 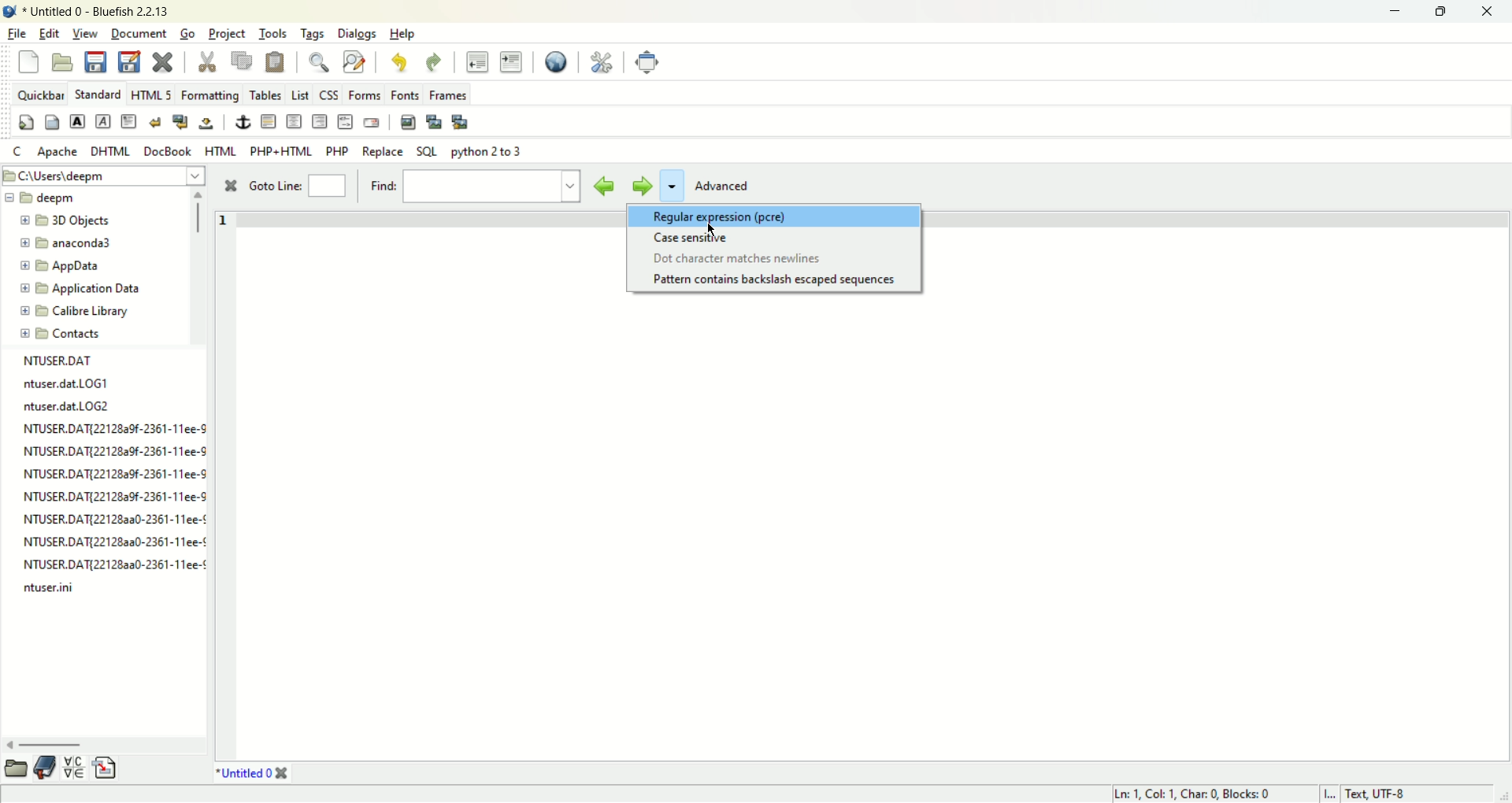 I want to click on redo, so click(x=434, y=63).